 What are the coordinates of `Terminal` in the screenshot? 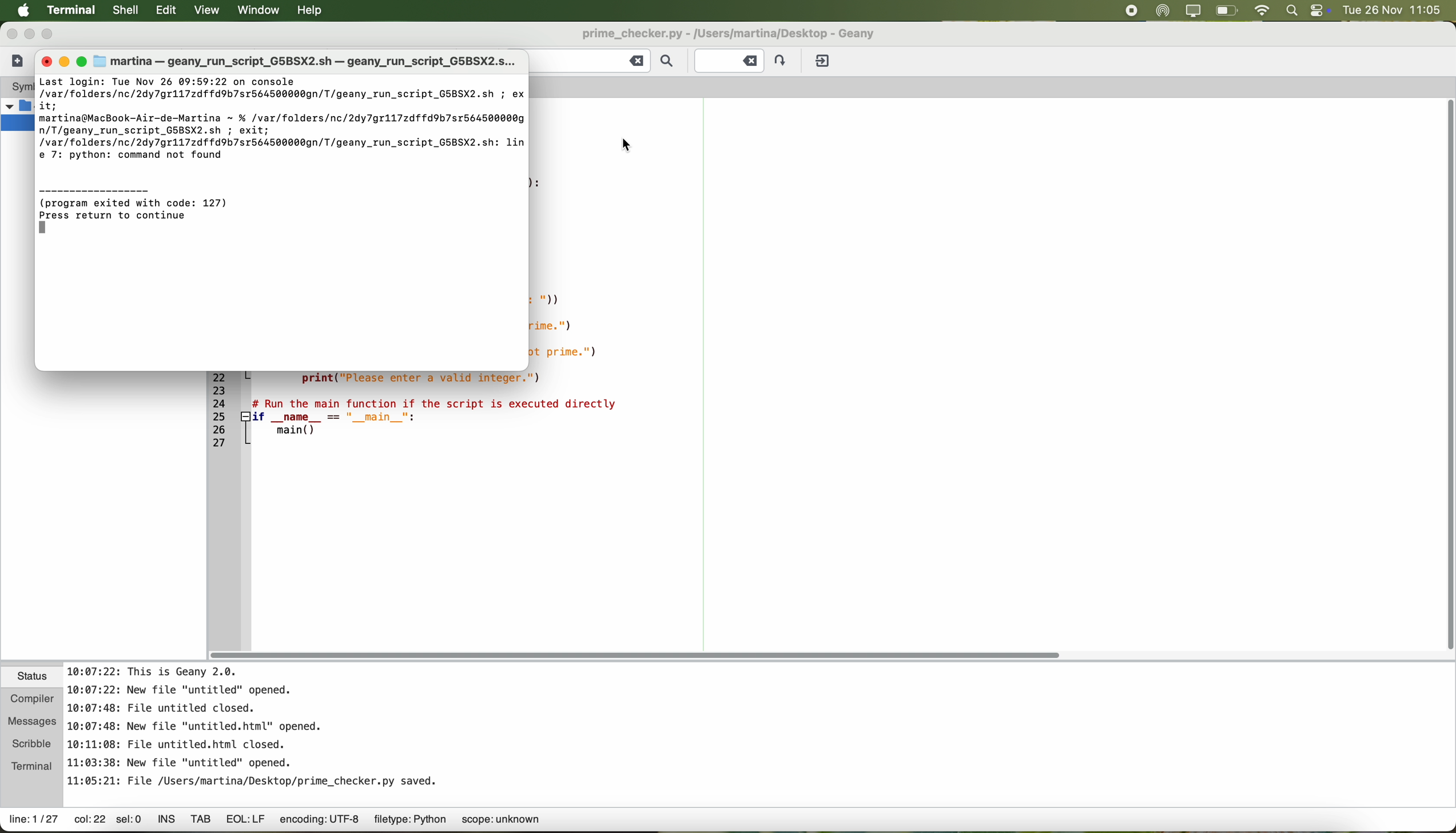 It's located at (72, 11).